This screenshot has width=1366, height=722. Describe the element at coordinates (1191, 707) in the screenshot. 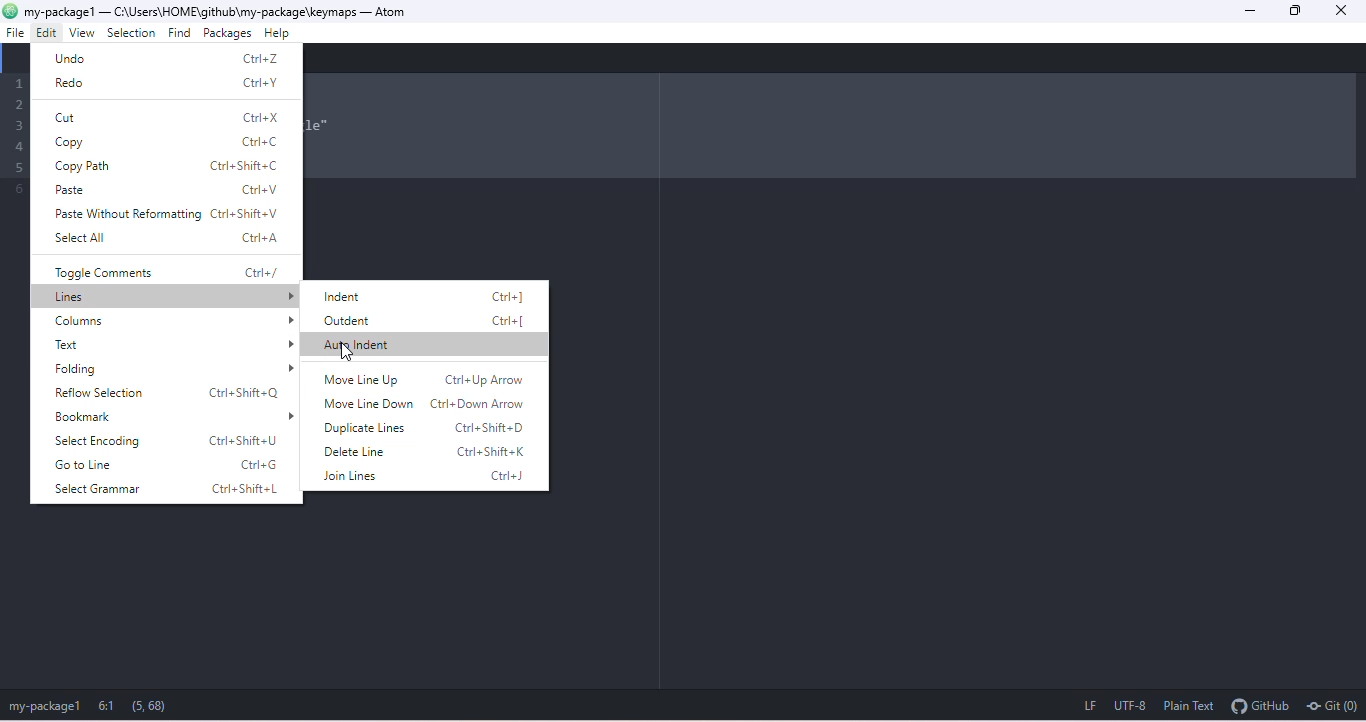

I see `plain text` at that location.